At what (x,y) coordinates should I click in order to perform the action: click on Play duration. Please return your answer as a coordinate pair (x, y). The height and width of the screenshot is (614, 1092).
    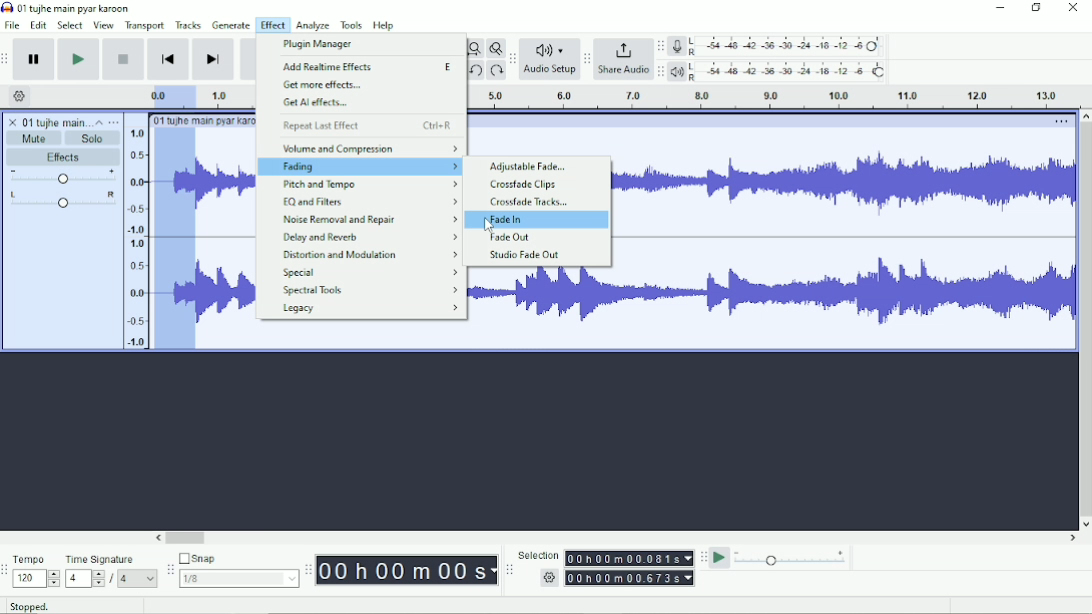
    Looking at the image, I should click on (227, 95).